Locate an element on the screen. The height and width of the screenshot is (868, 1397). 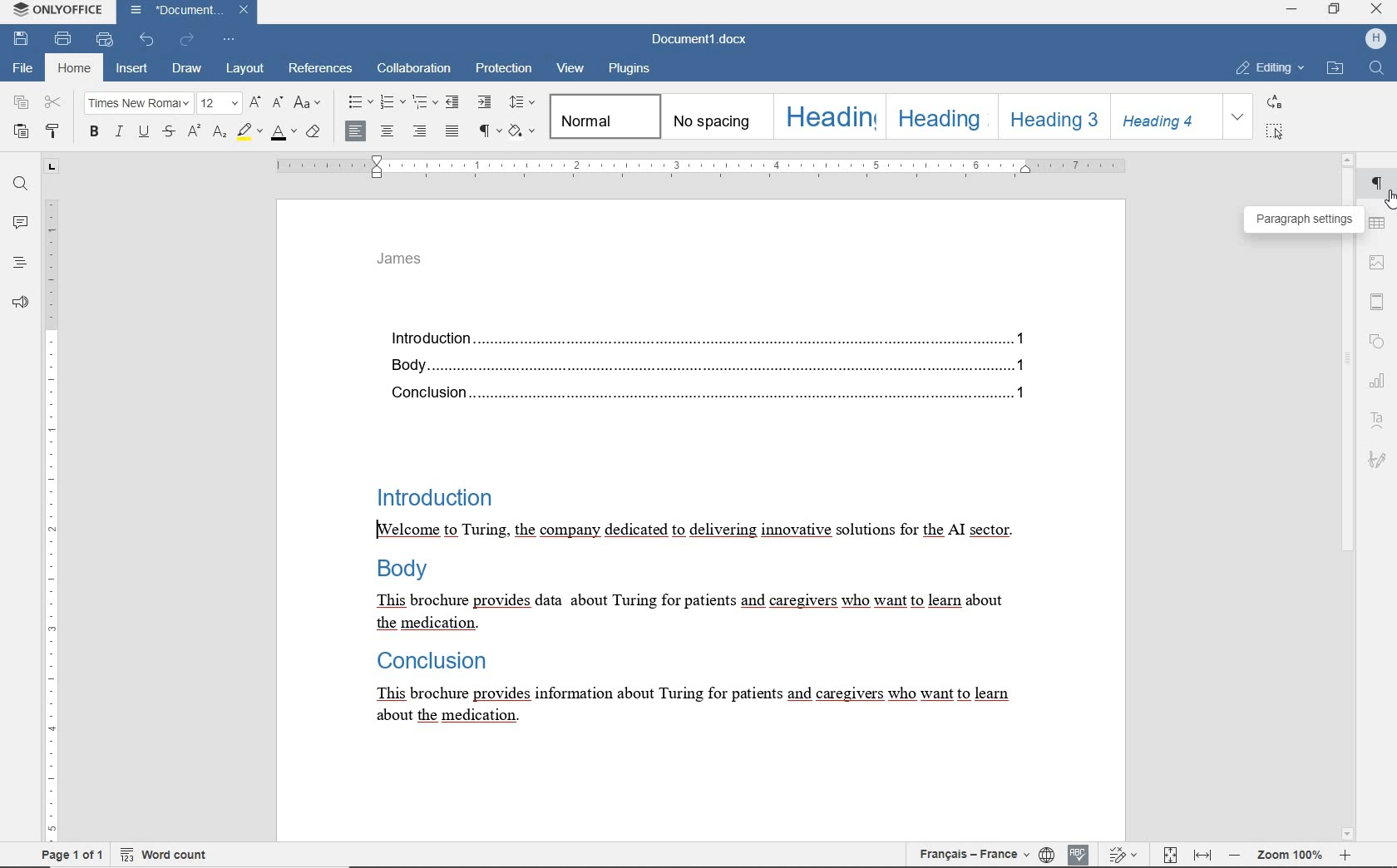
image is located at coordinates (1380, 263).